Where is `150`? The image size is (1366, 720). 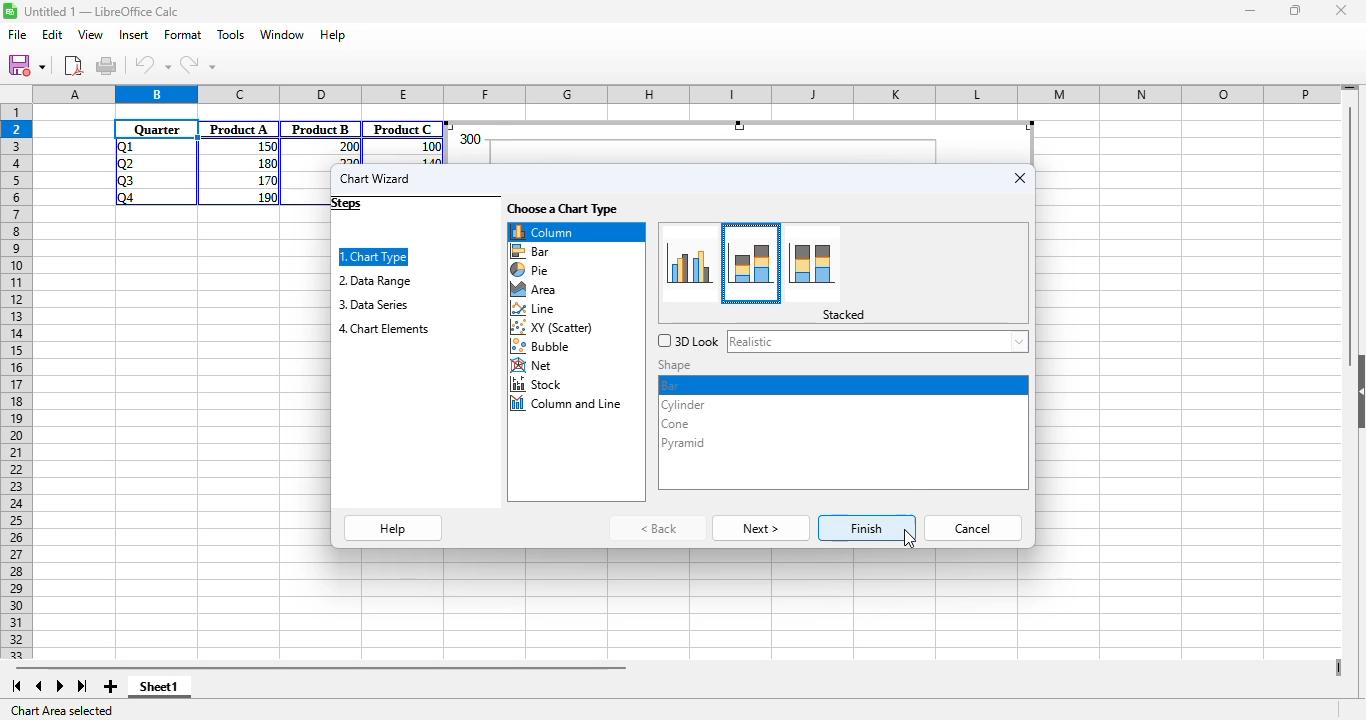 150 is located at coordinates (265, 147).